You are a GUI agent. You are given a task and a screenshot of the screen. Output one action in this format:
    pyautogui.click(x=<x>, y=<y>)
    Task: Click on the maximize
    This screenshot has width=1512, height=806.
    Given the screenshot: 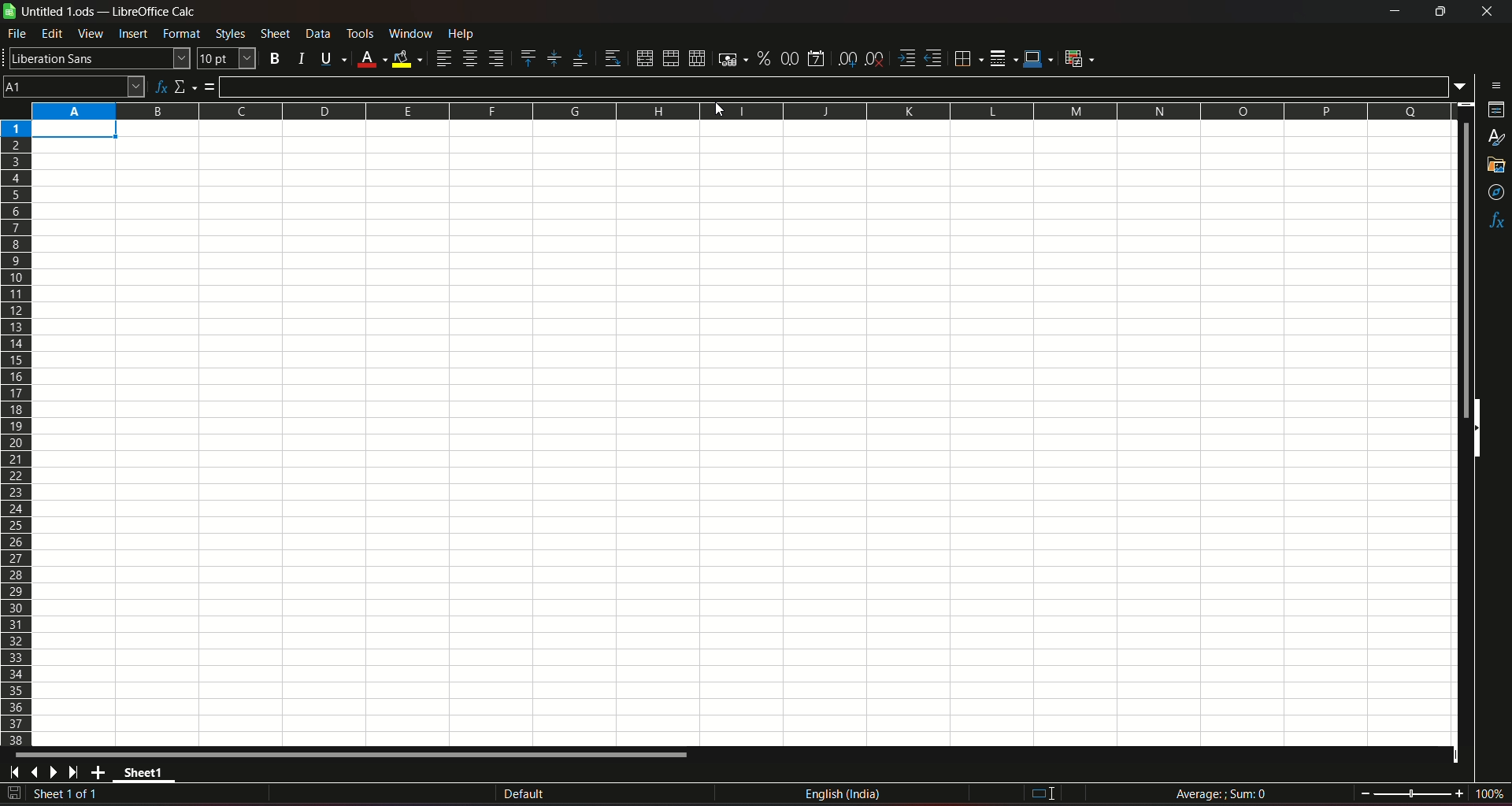 What is the action you would take?
    pyautogui.click(x=1440, y=12)
    